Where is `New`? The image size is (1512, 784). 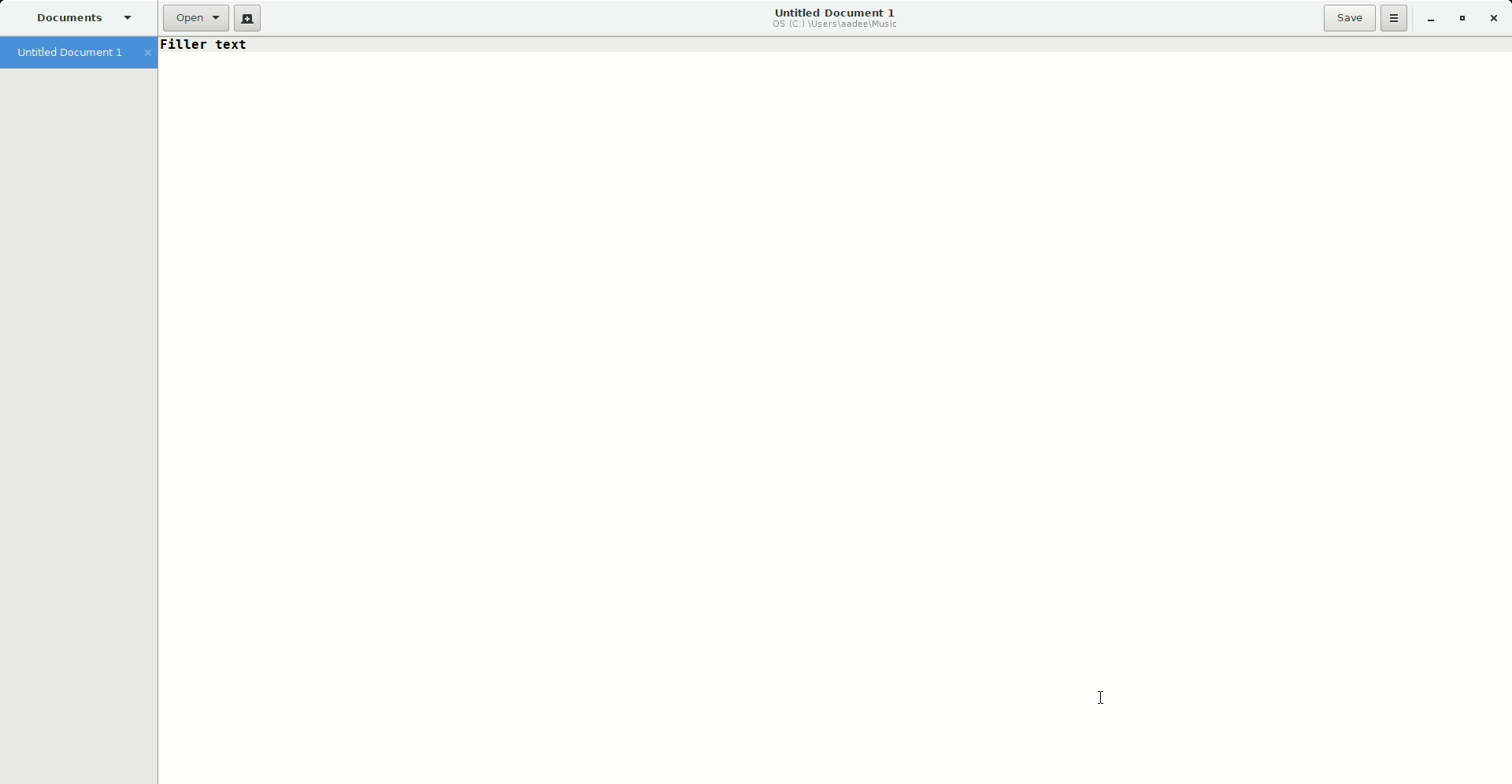 New is located at coordinates (249, 20).